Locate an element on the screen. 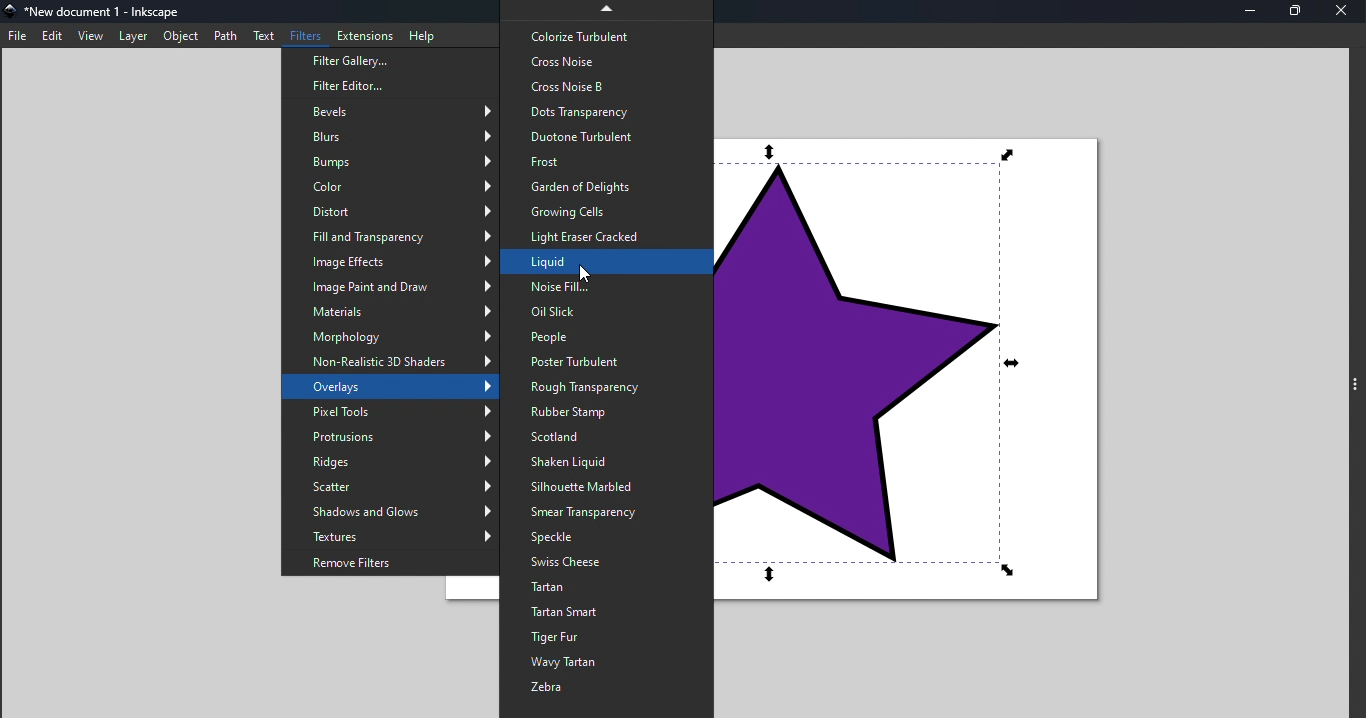 This screenshot has width=1366, height=718. Extensions is located at coordinates (360, 34).